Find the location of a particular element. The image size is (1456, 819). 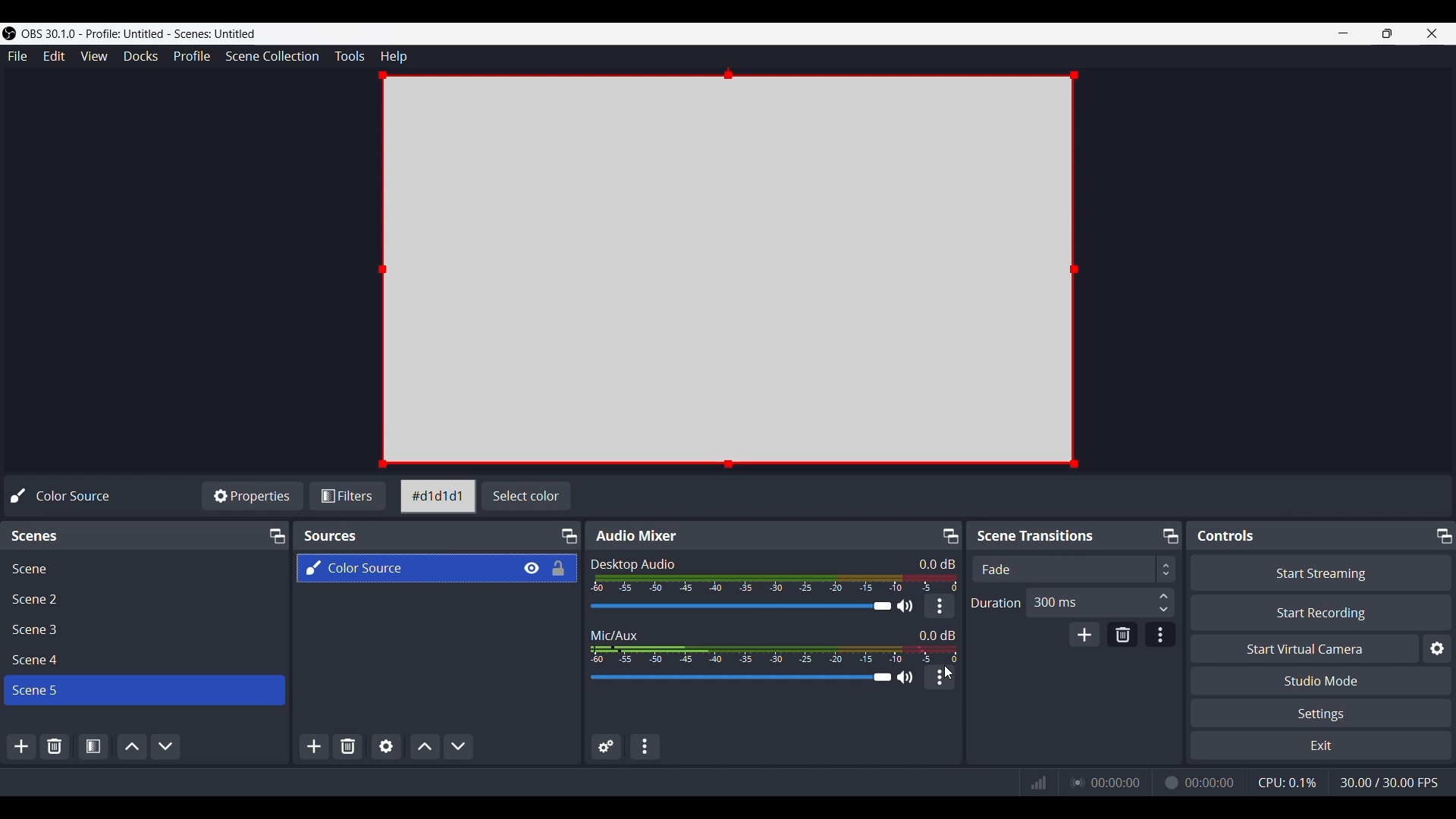

30.00/30.00 FPS is located at coordinates (1389, 782).